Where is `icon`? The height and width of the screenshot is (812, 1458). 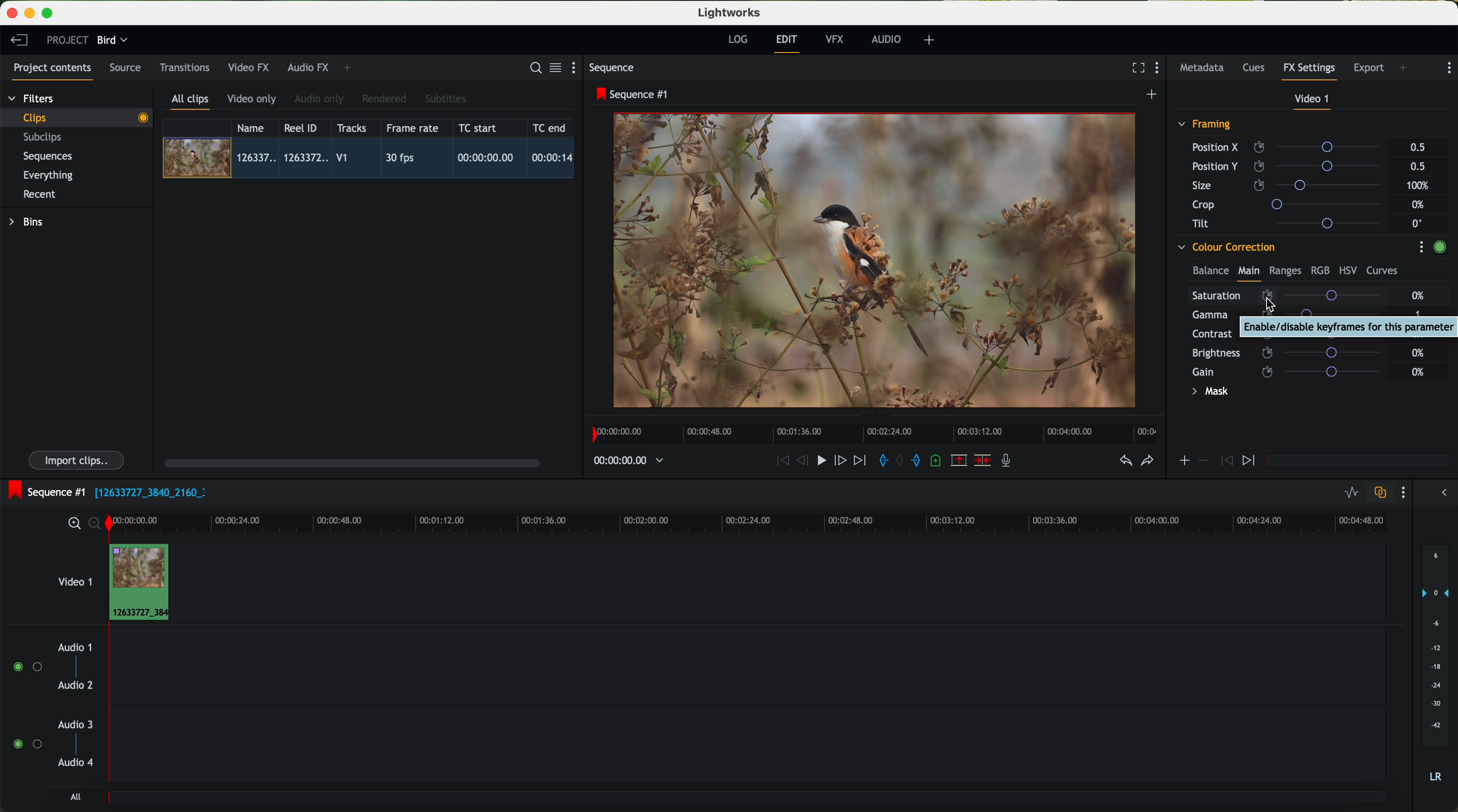
icon is located at coordinates (1225, 461).